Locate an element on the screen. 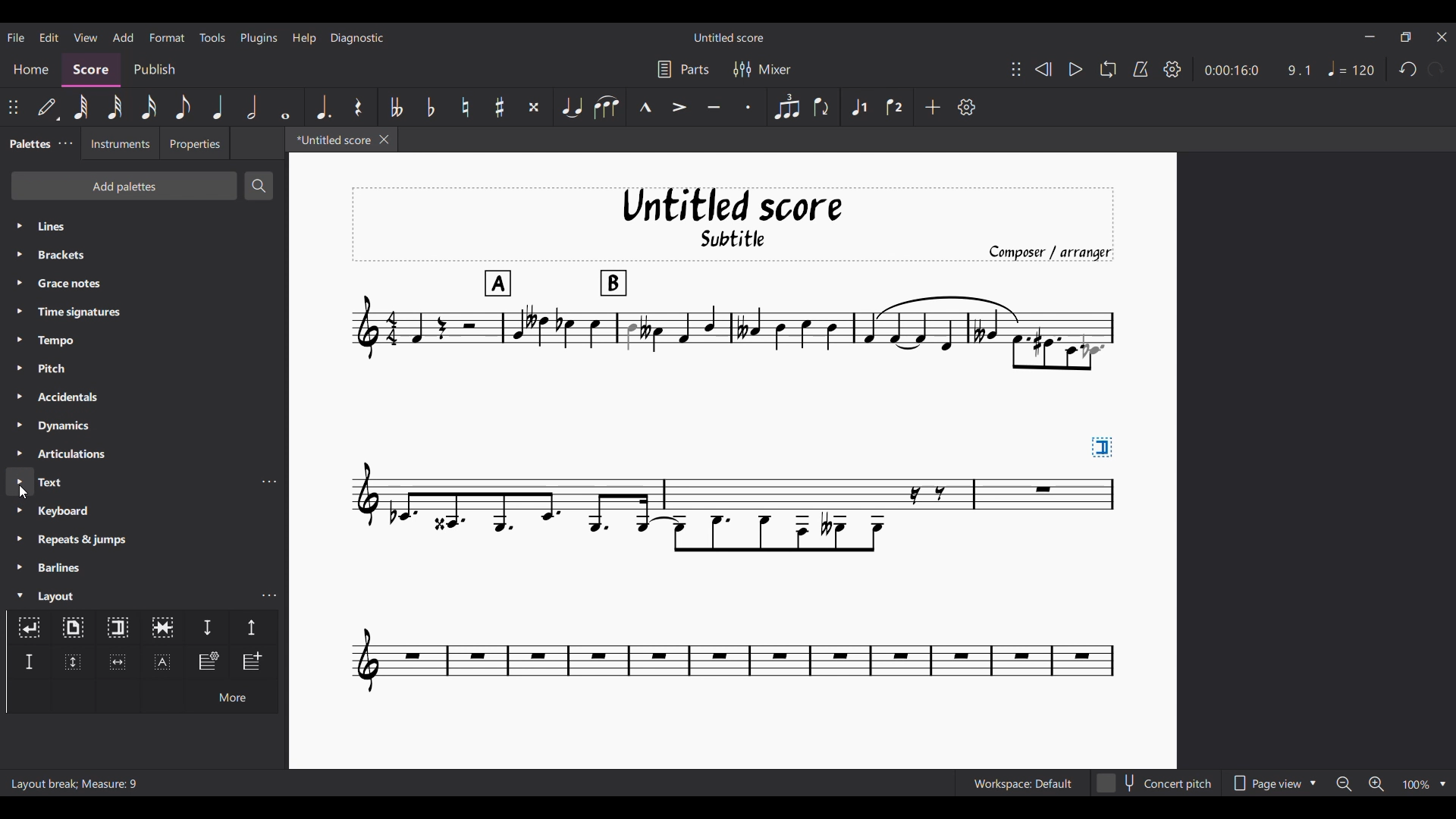 This screenshot has height=819, width=1456. Tenuto is located at coordinates (714, 108).